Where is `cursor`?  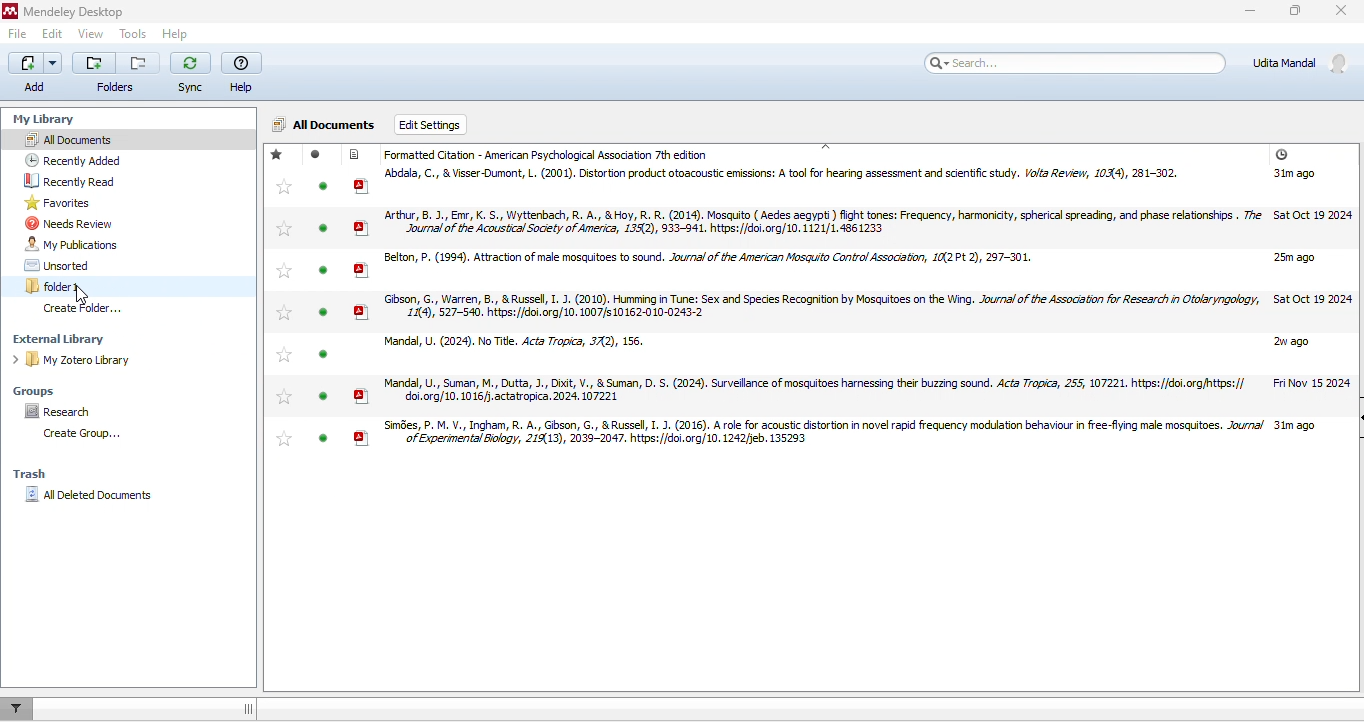
cursor is located at coordinates (84, 295).